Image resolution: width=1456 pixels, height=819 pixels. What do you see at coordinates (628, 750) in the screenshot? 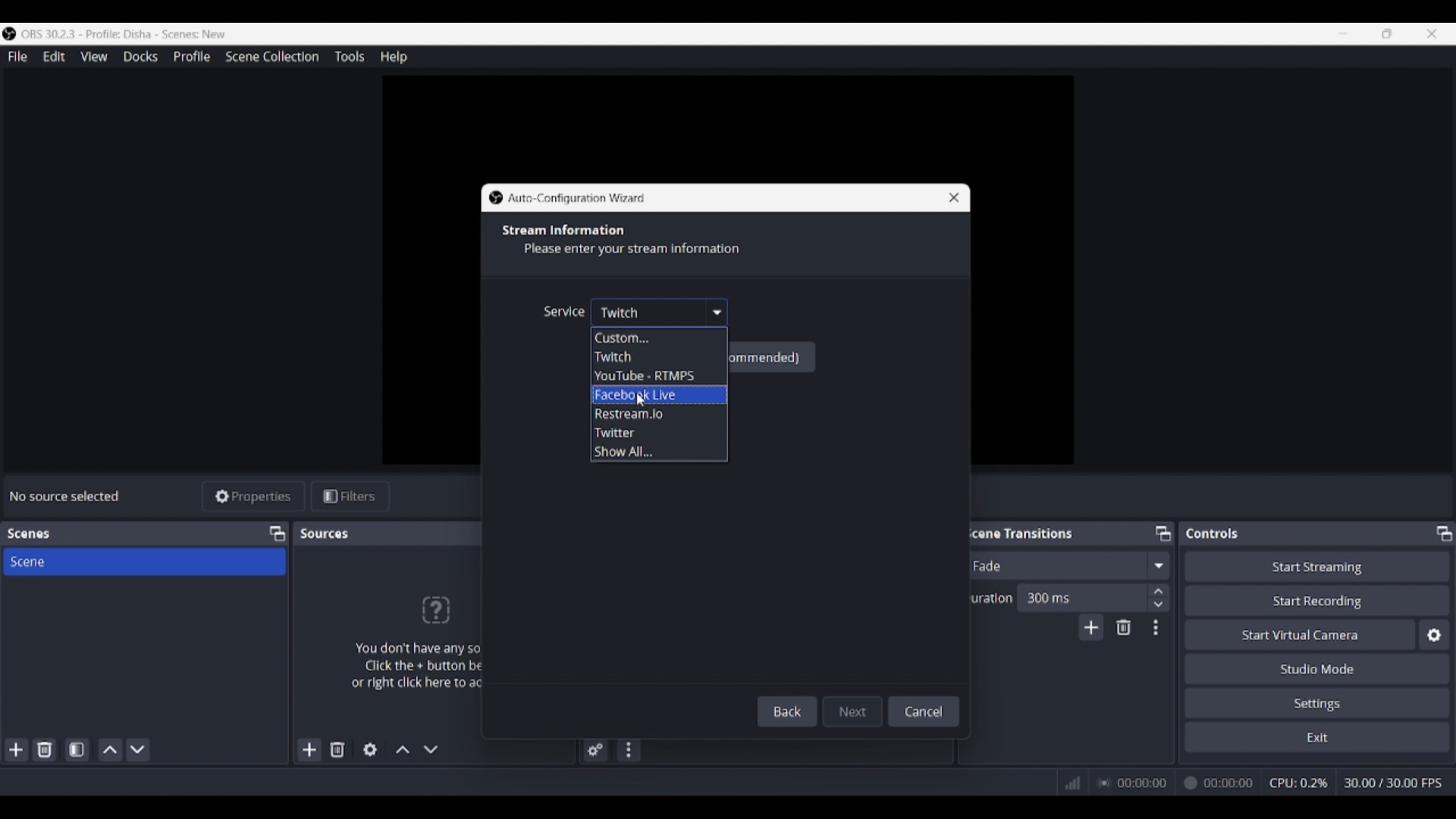
I see `Audio mixer menu` at bounding box center [628, 750].